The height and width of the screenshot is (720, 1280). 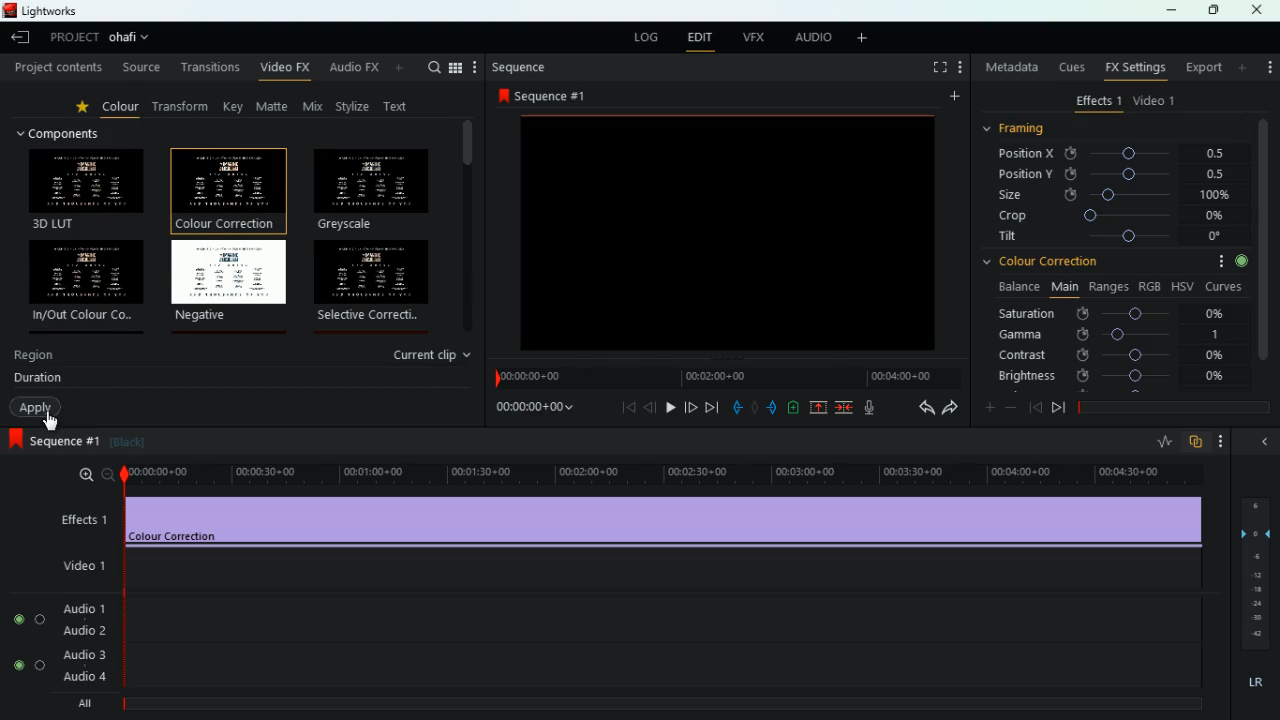 I want to click on layers, so click(x=1254, y=575).